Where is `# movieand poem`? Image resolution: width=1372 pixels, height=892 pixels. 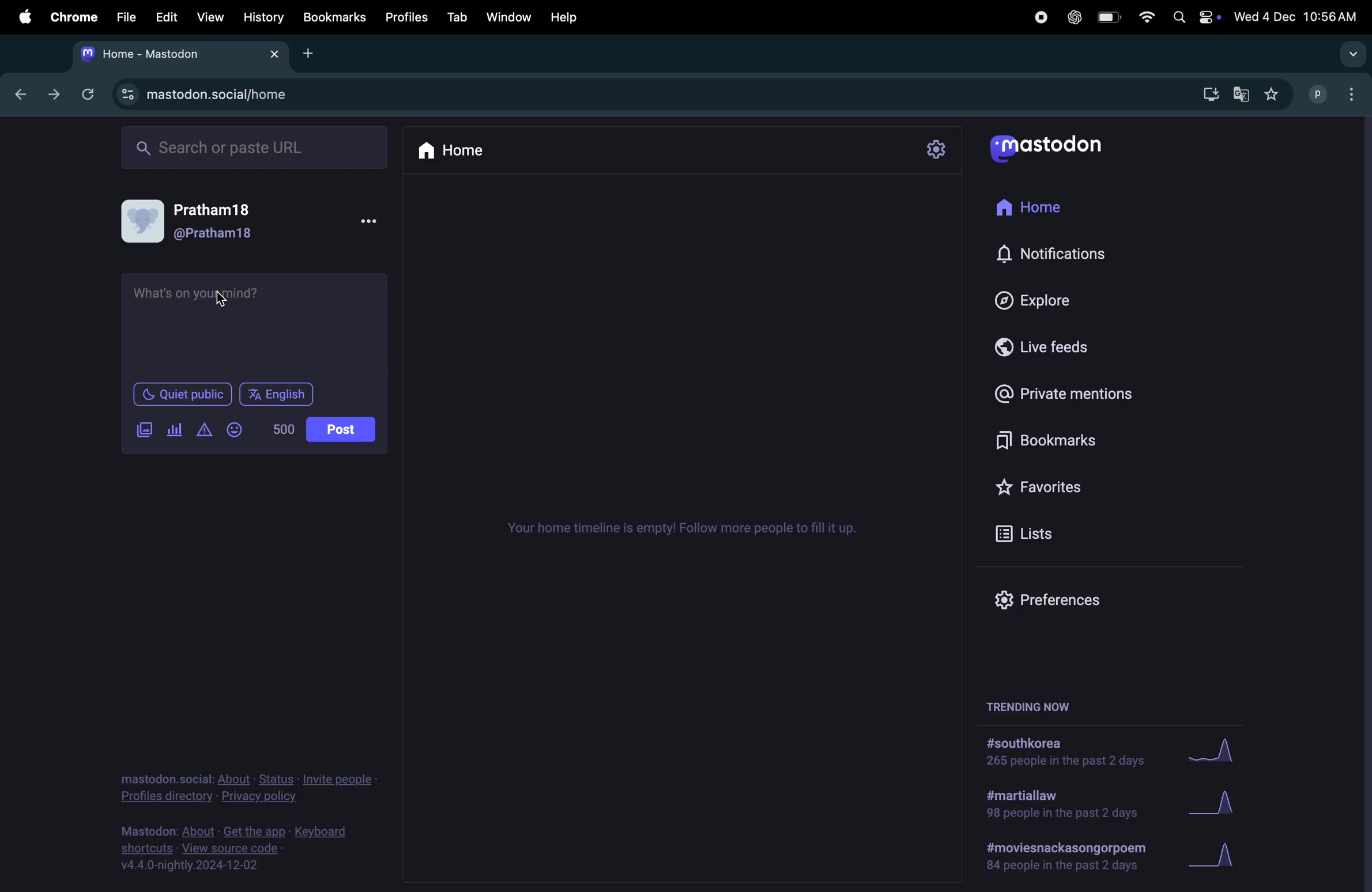
# movieand poem is located at coordinates (1071, 857).